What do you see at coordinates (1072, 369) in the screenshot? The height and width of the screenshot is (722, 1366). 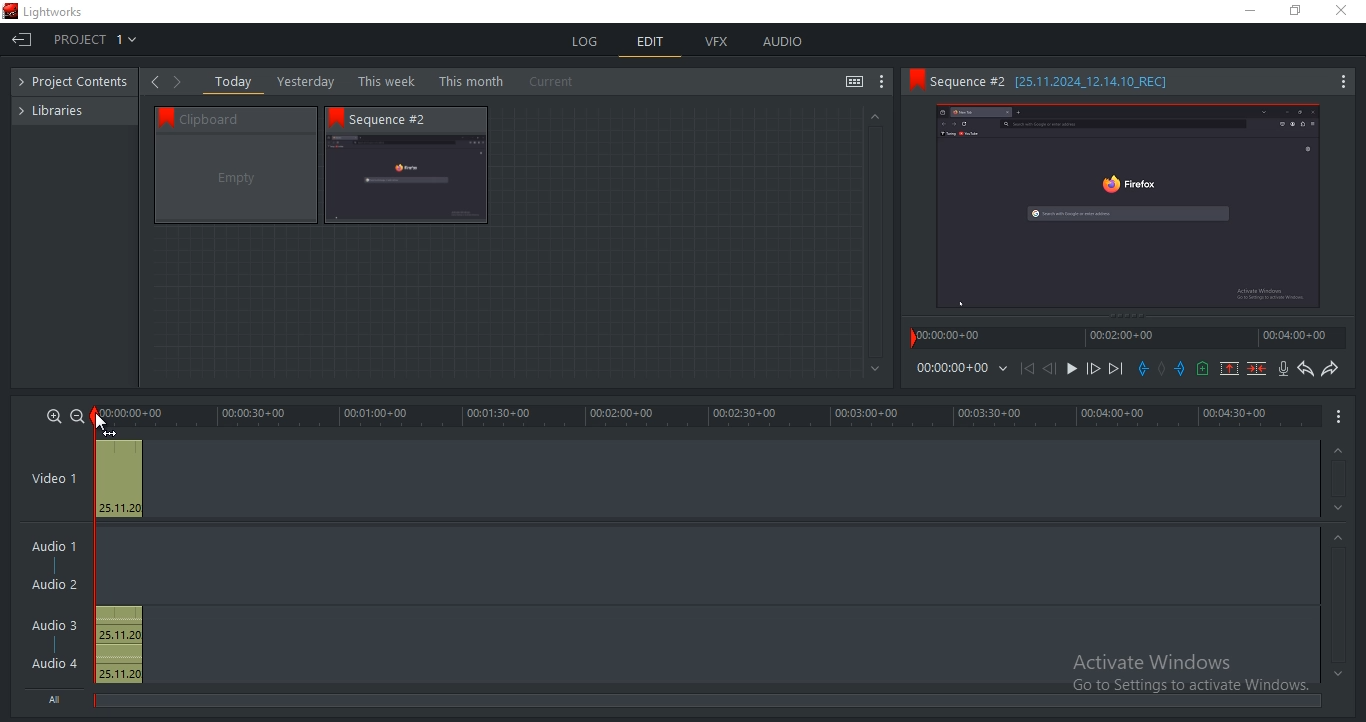 I see `Play` at bounding box center [1072, 369].